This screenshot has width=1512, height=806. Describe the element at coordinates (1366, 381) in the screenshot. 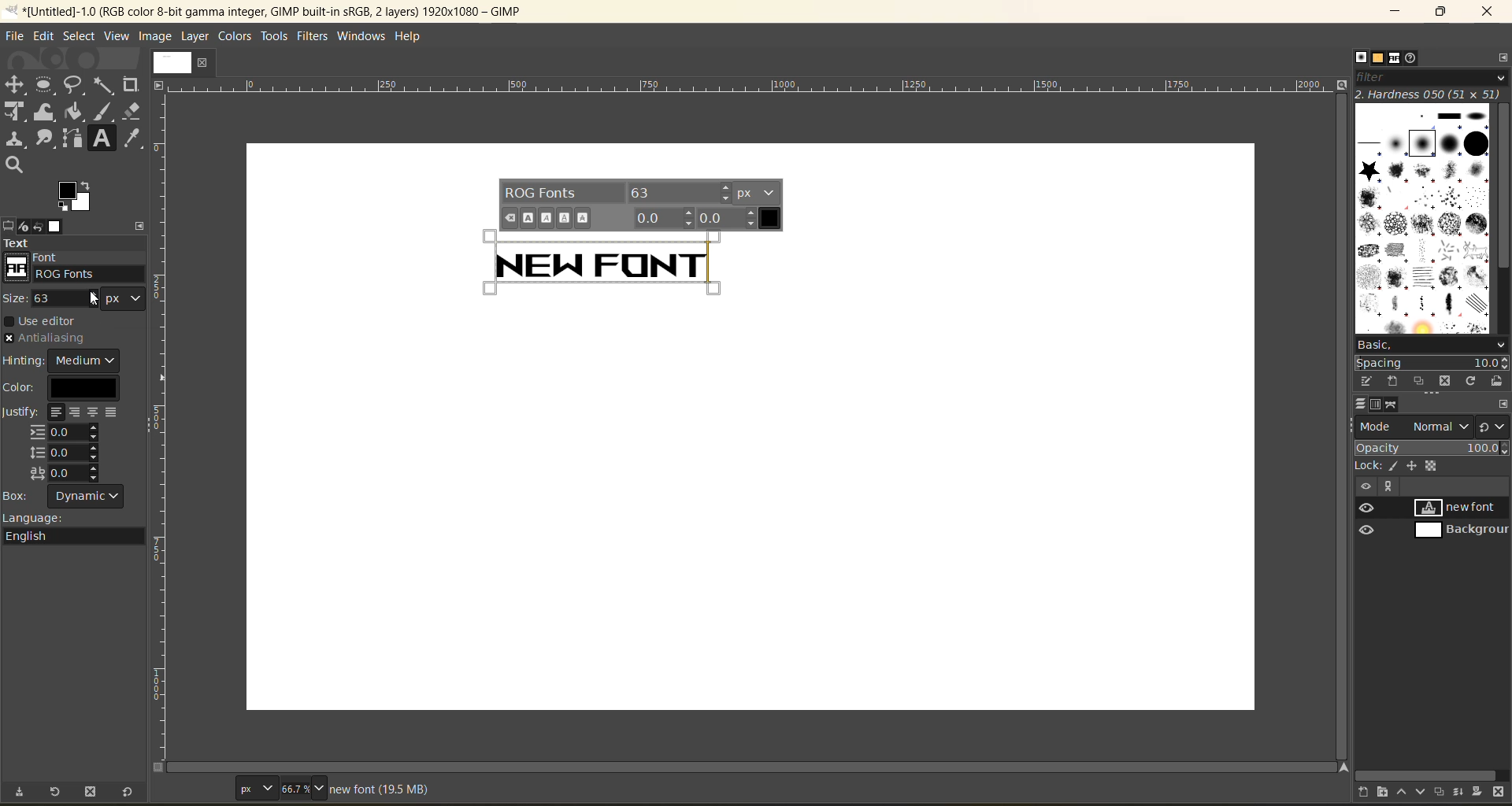

I see `edit this brush` at that location.